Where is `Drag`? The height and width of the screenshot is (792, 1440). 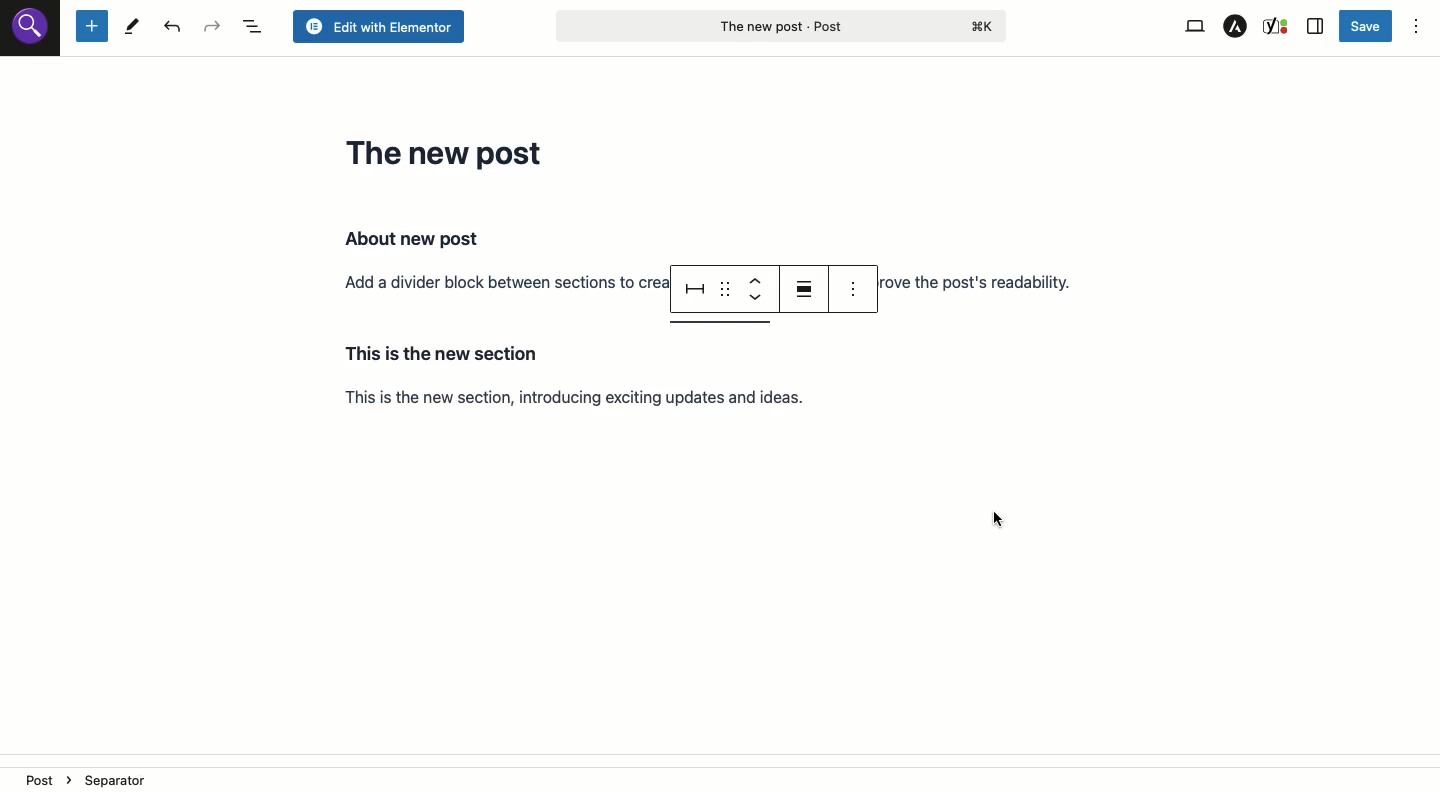 Drag is located at coordinates (723, 288).